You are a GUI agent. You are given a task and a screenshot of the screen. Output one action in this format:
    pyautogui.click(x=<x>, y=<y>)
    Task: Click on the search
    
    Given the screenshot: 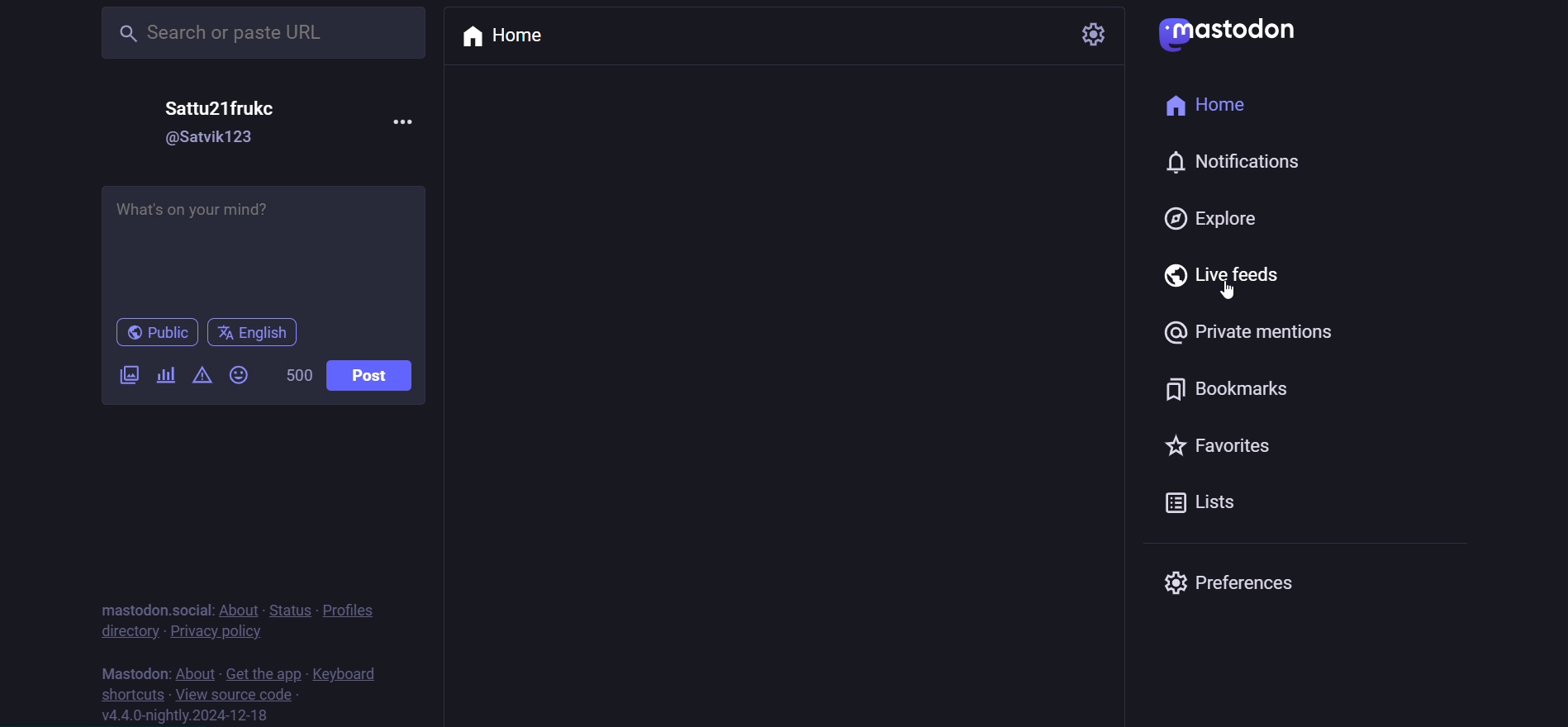 What is the action you would take?
    pyautogui.click(x=260, y=36)
    